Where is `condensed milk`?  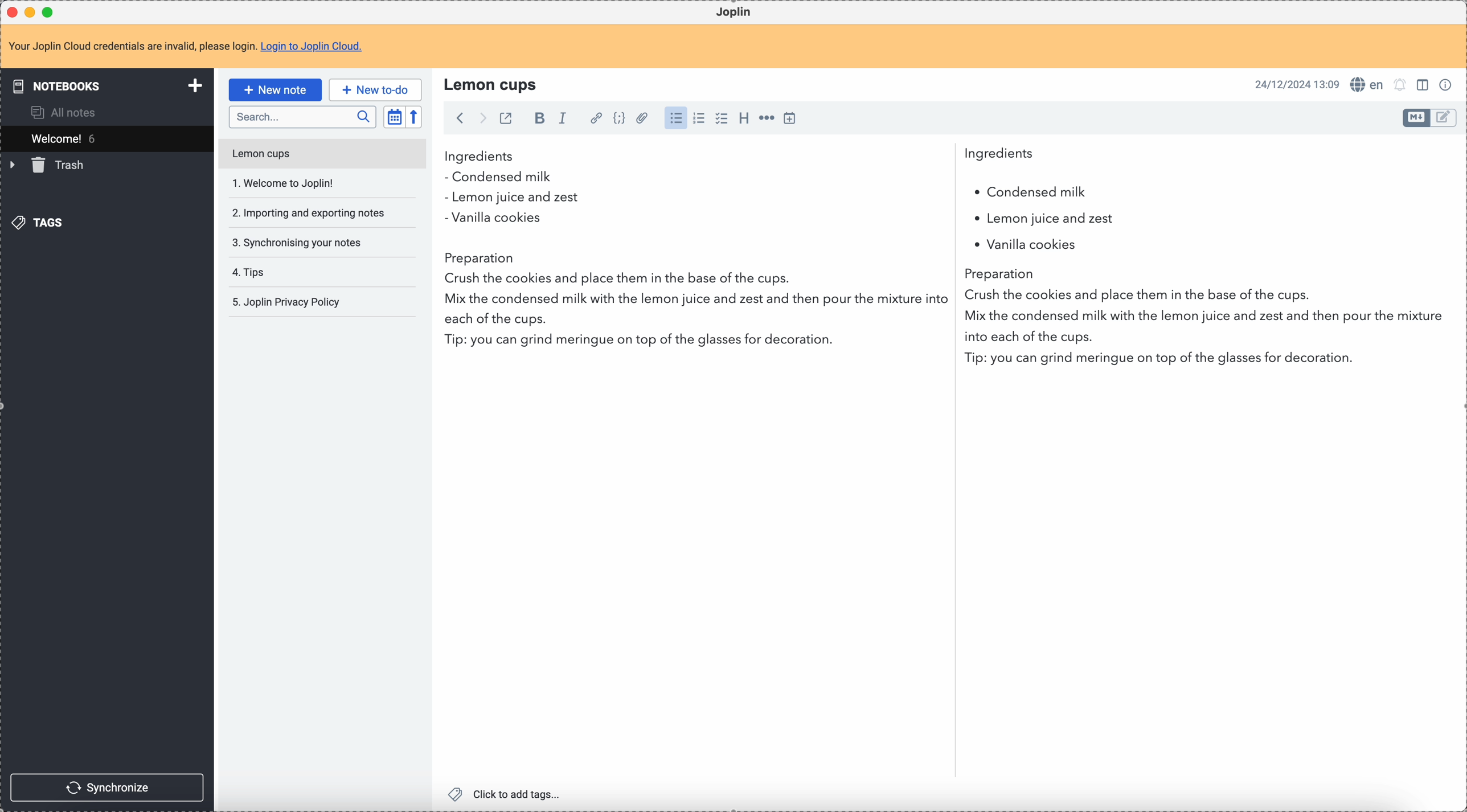 condensed milk is located at coordinates (502, 178).